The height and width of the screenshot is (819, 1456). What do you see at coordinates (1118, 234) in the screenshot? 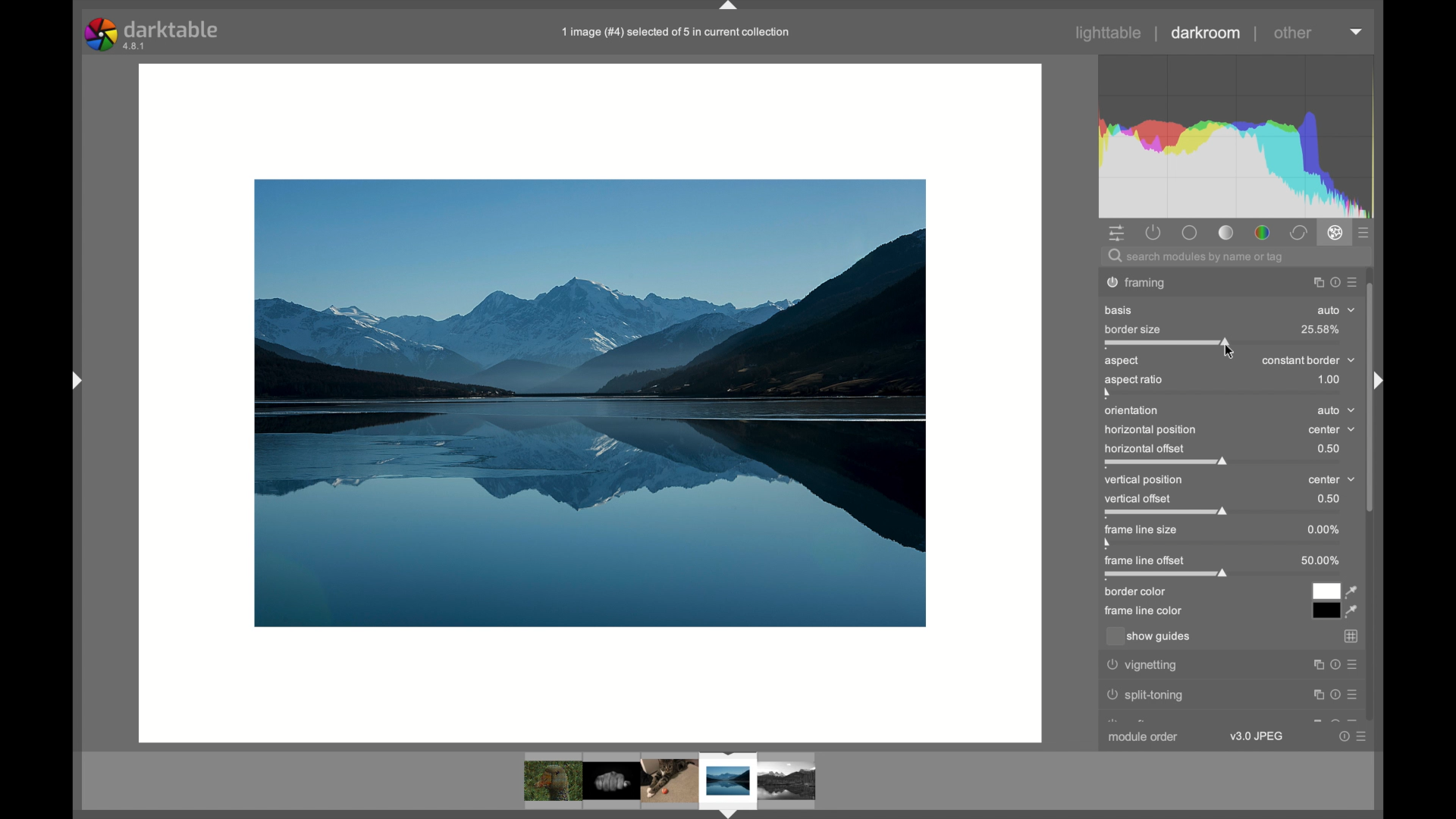
I see `quick access panel` at bounding box center [1118, 234].